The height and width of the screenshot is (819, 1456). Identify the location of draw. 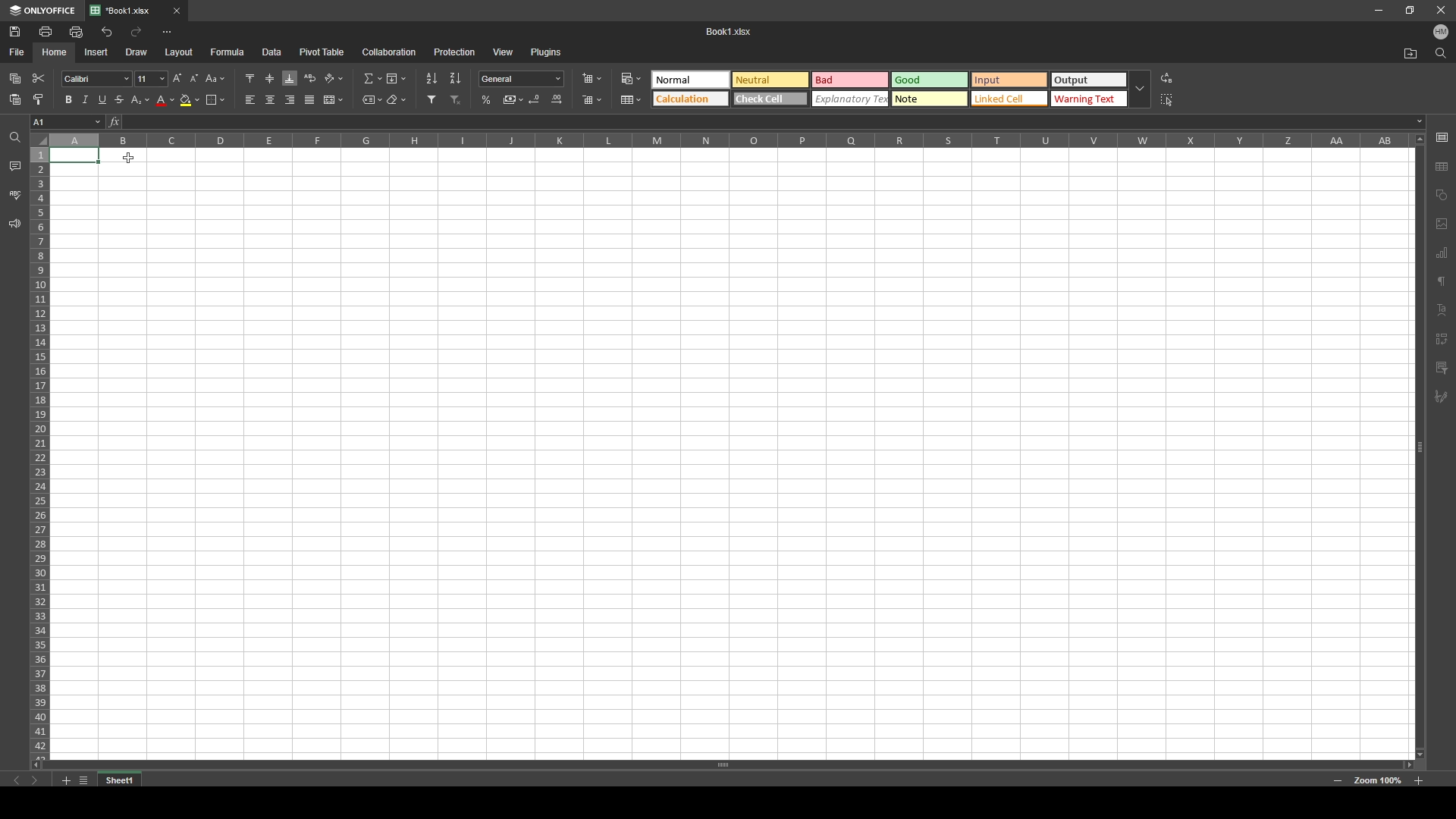
(137, 52).